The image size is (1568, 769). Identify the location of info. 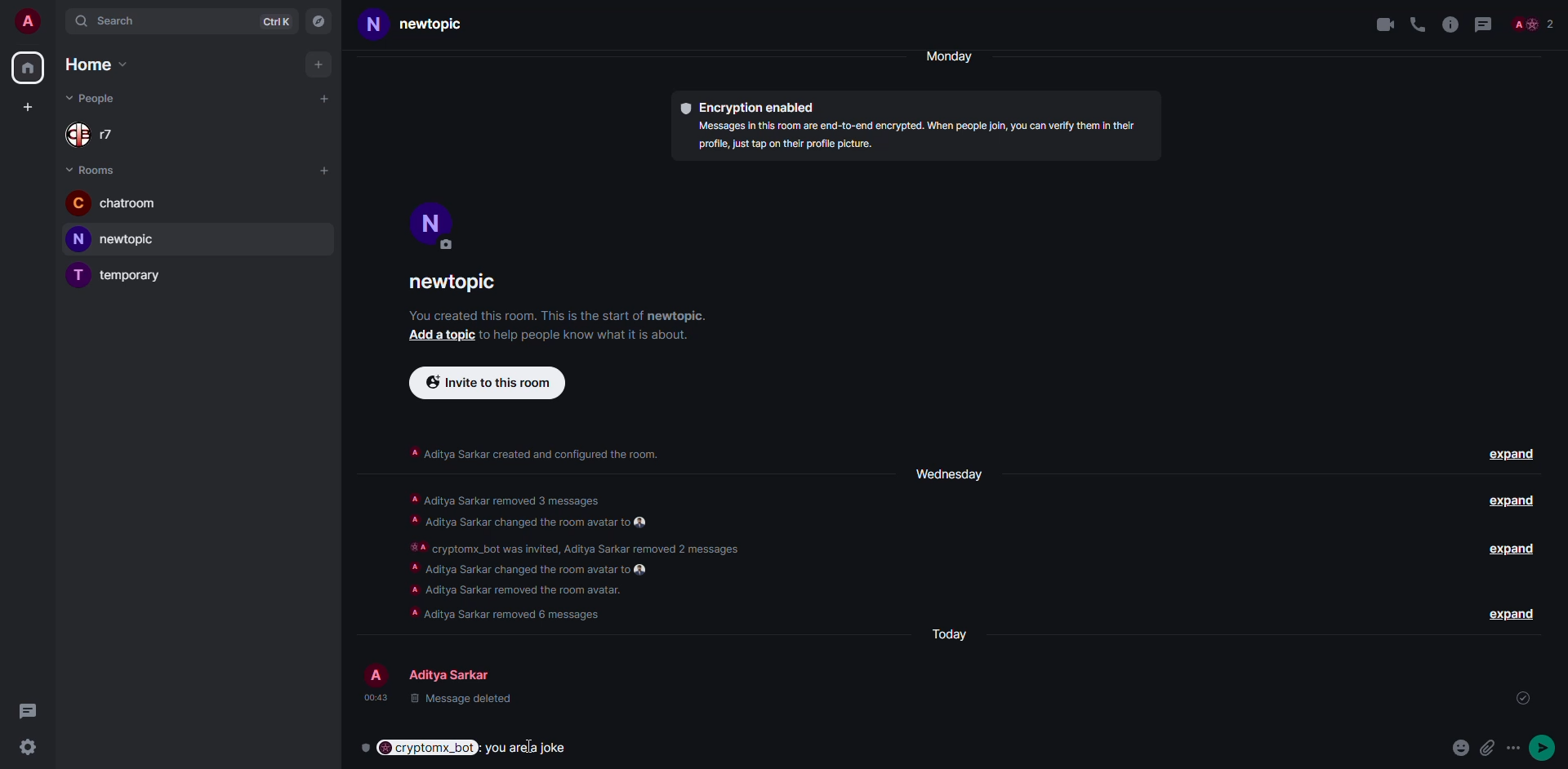
(534, 451).